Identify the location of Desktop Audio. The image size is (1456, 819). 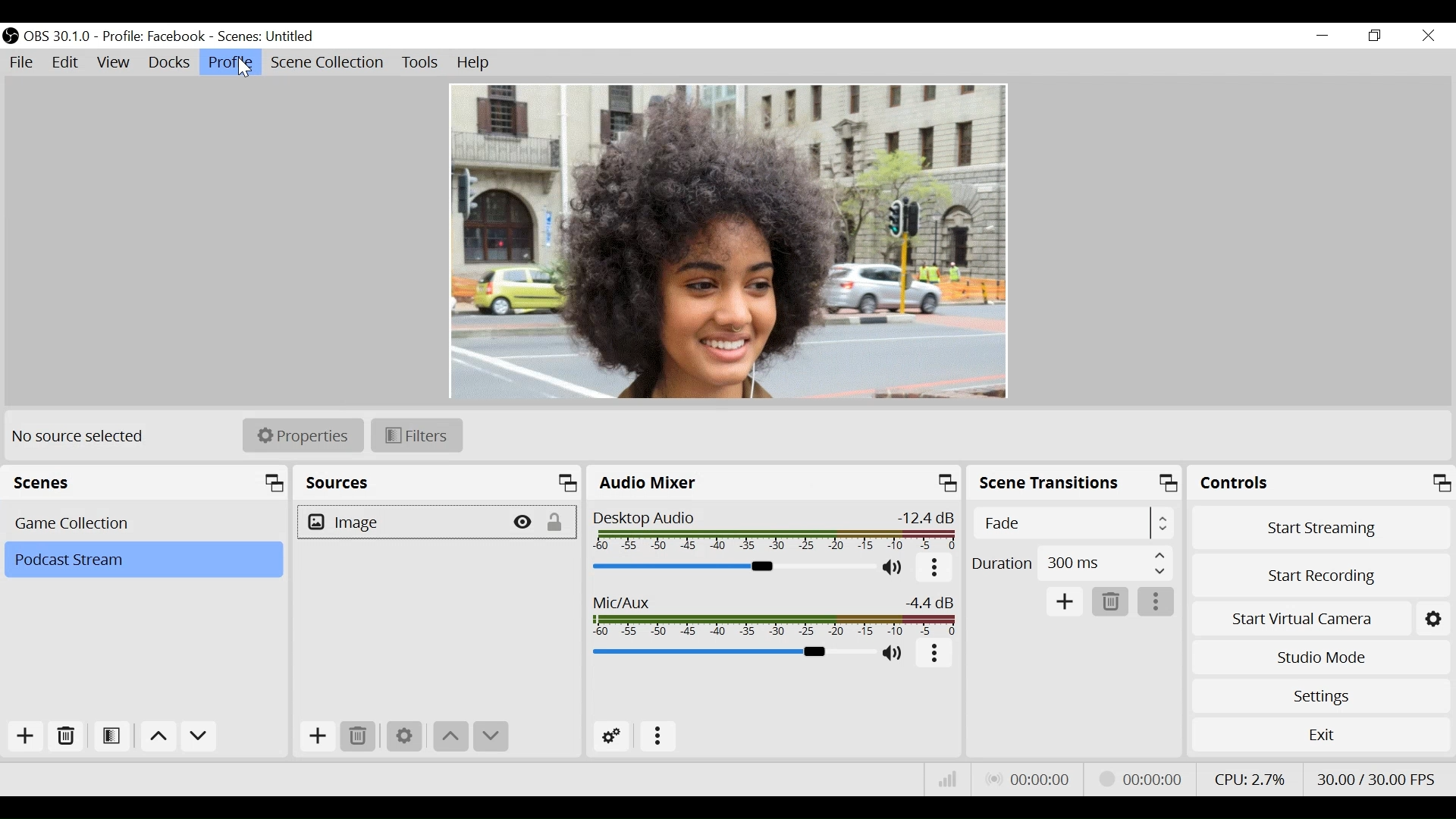
(774, 530).